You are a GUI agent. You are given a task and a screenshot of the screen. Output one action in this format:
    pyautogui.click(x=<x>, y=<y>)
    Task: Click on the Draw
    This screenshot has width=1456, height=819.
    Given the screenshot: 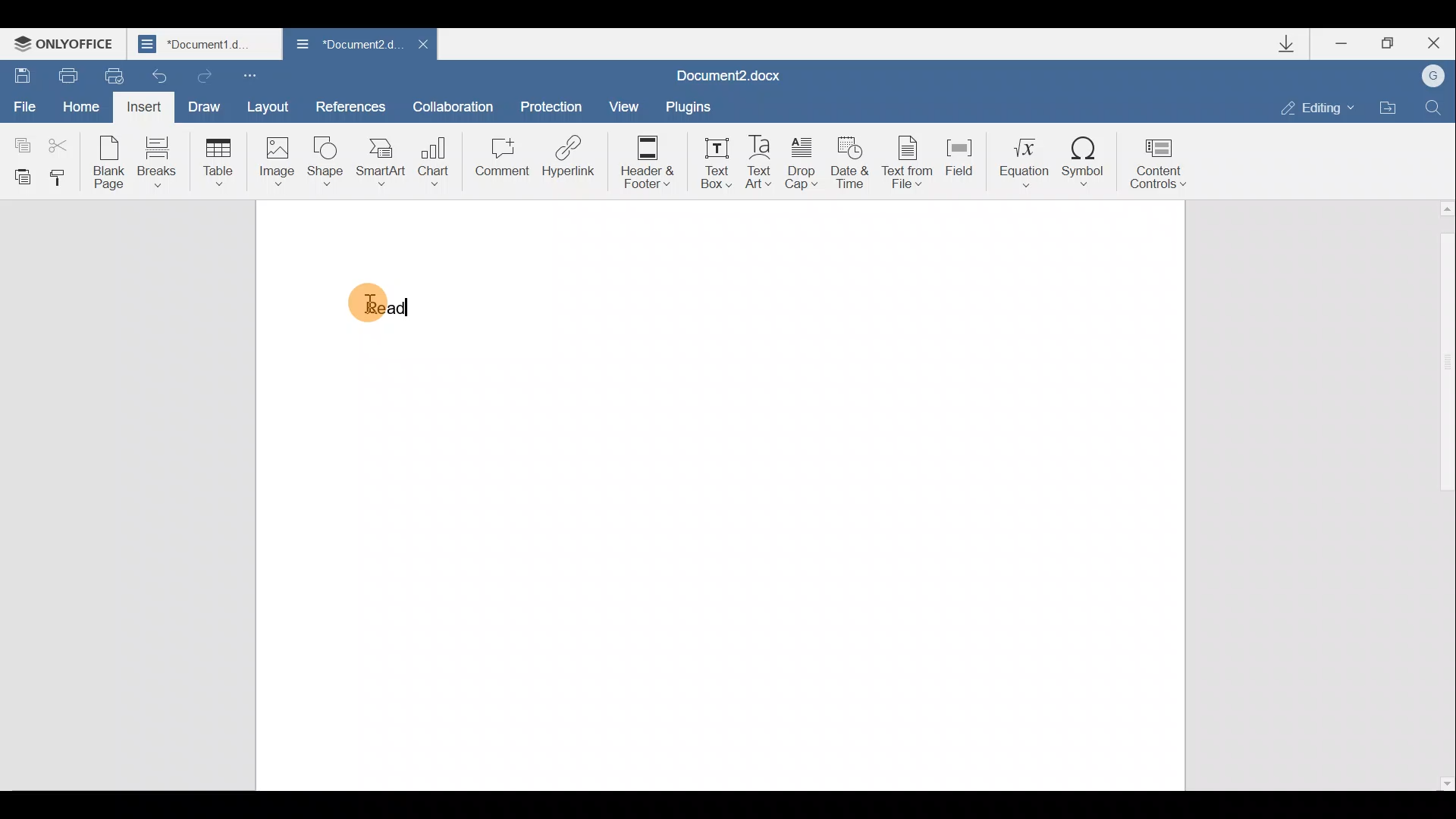 What is the action you would take?
    pyautogui.click(x=206, y=105)
    